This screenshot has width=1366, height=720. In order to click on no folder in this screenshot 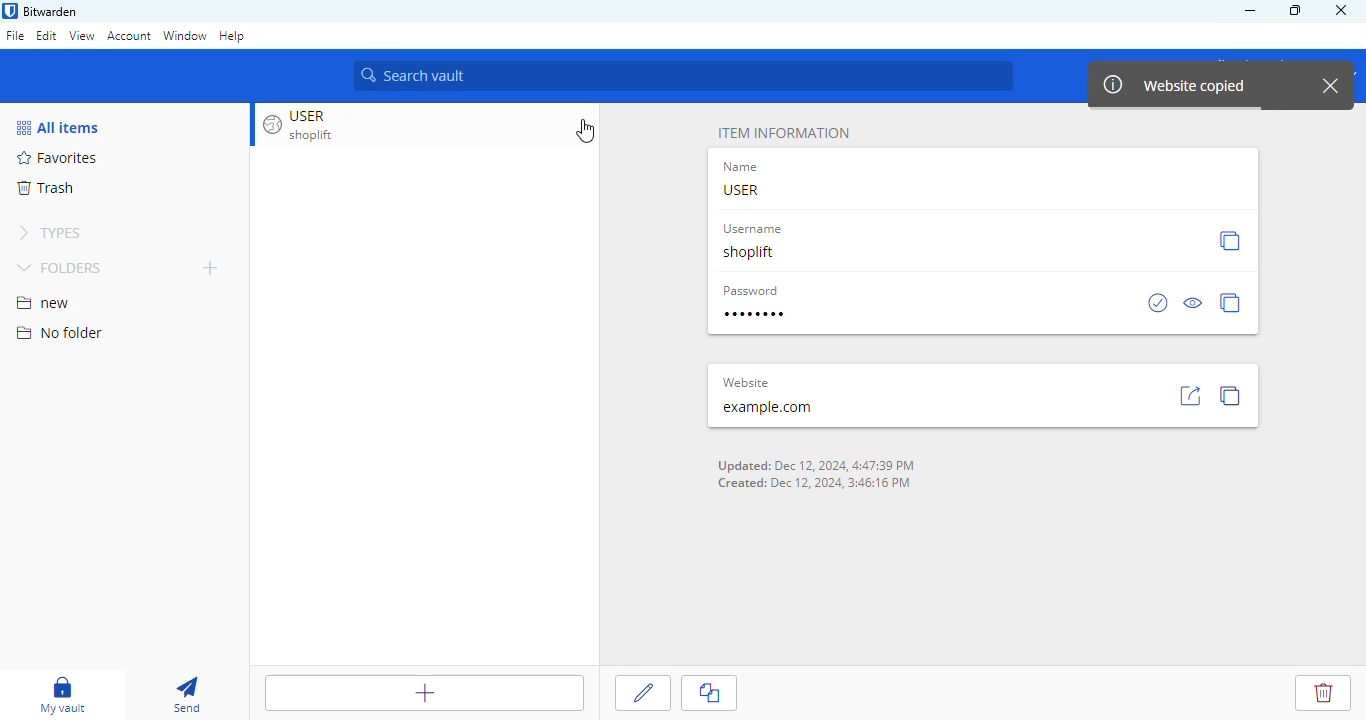, I will do `click(60, 333)`.